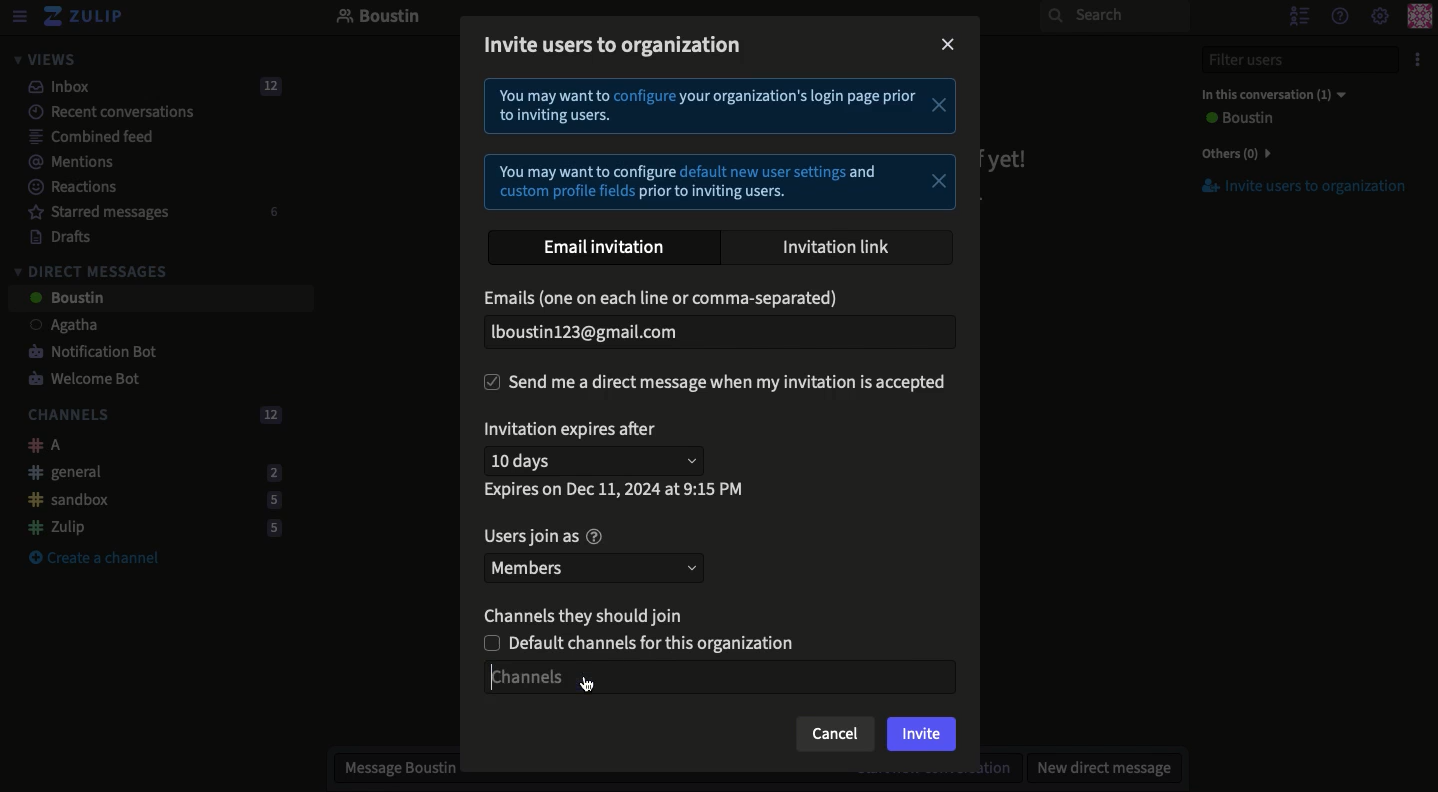  I want to click on Email added, so click(714, 332).